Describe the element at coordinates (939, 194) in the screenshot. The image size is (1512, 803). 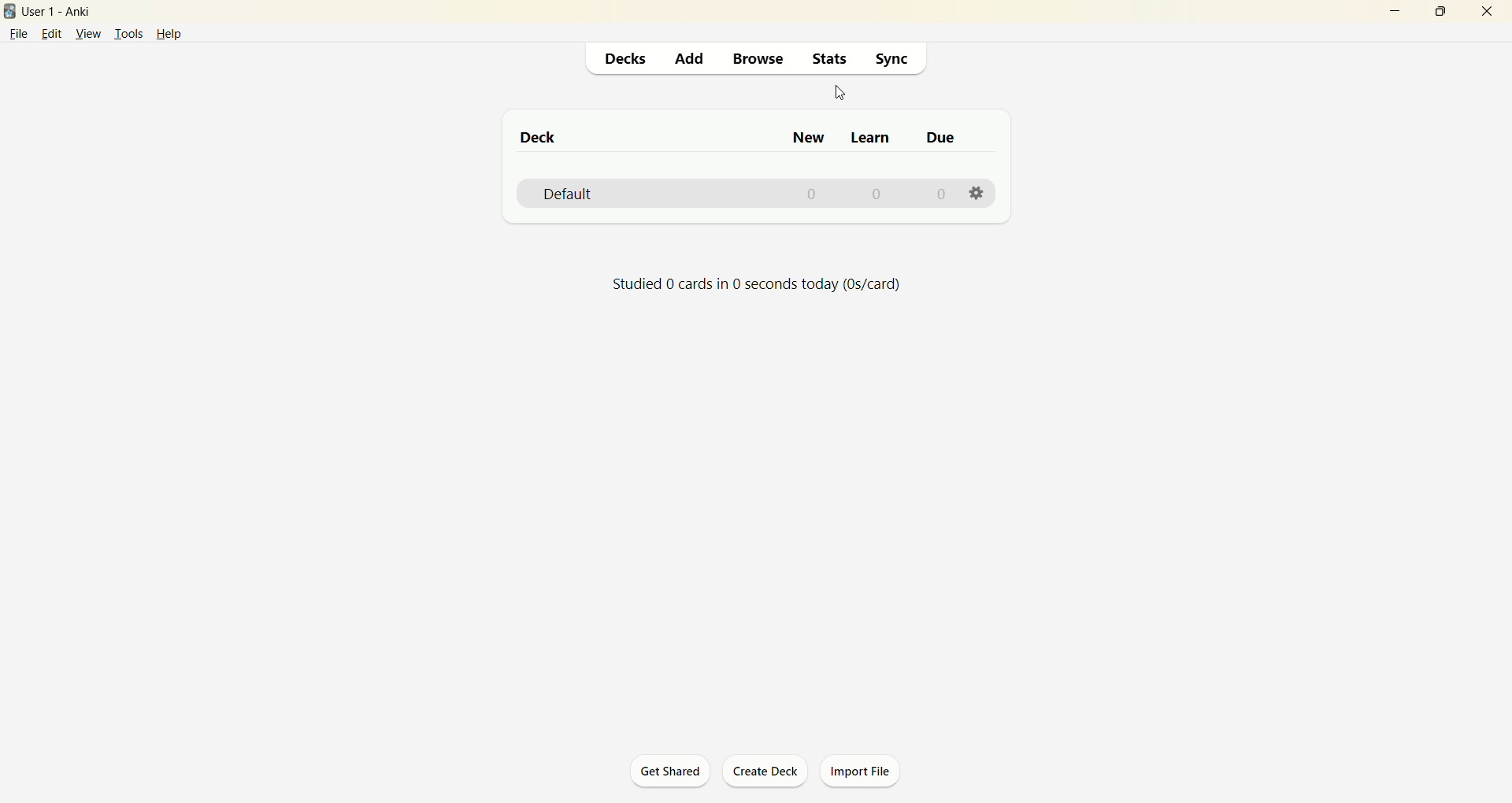
I see `0` at that location.